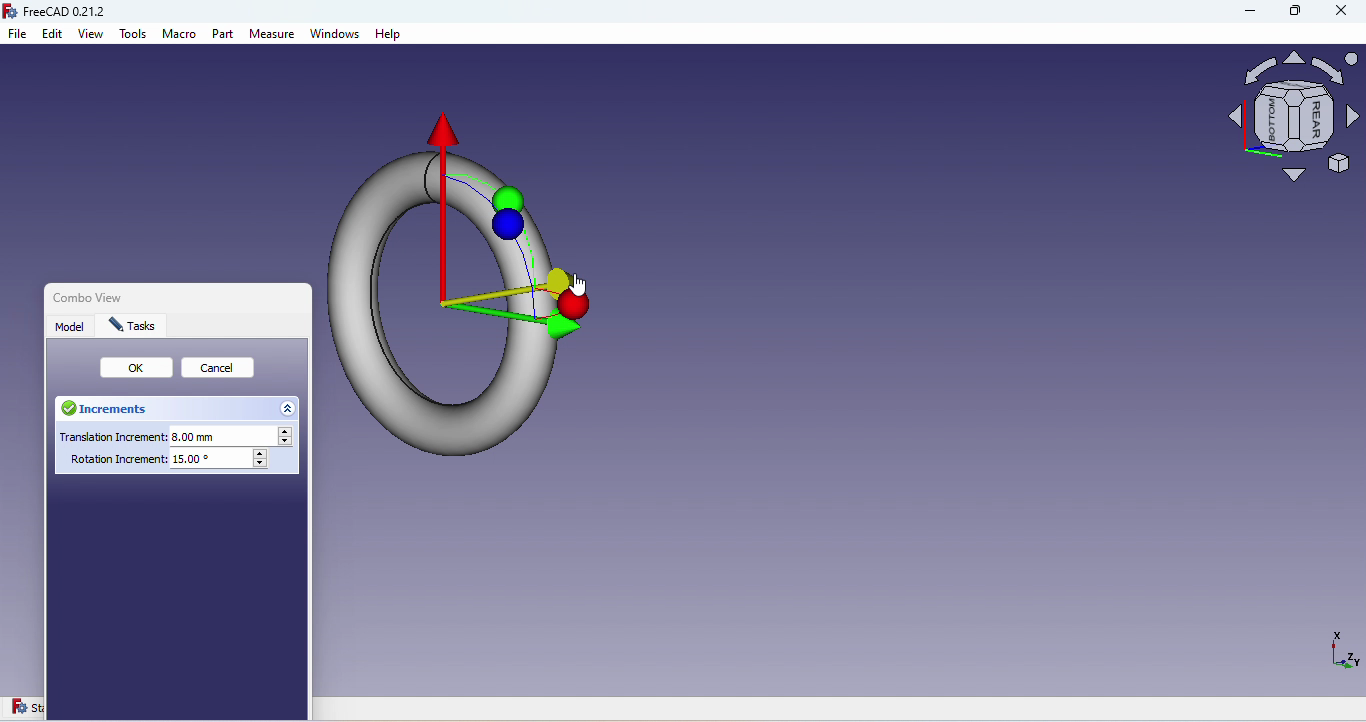  I want to click on Measure, so click(273, 35).